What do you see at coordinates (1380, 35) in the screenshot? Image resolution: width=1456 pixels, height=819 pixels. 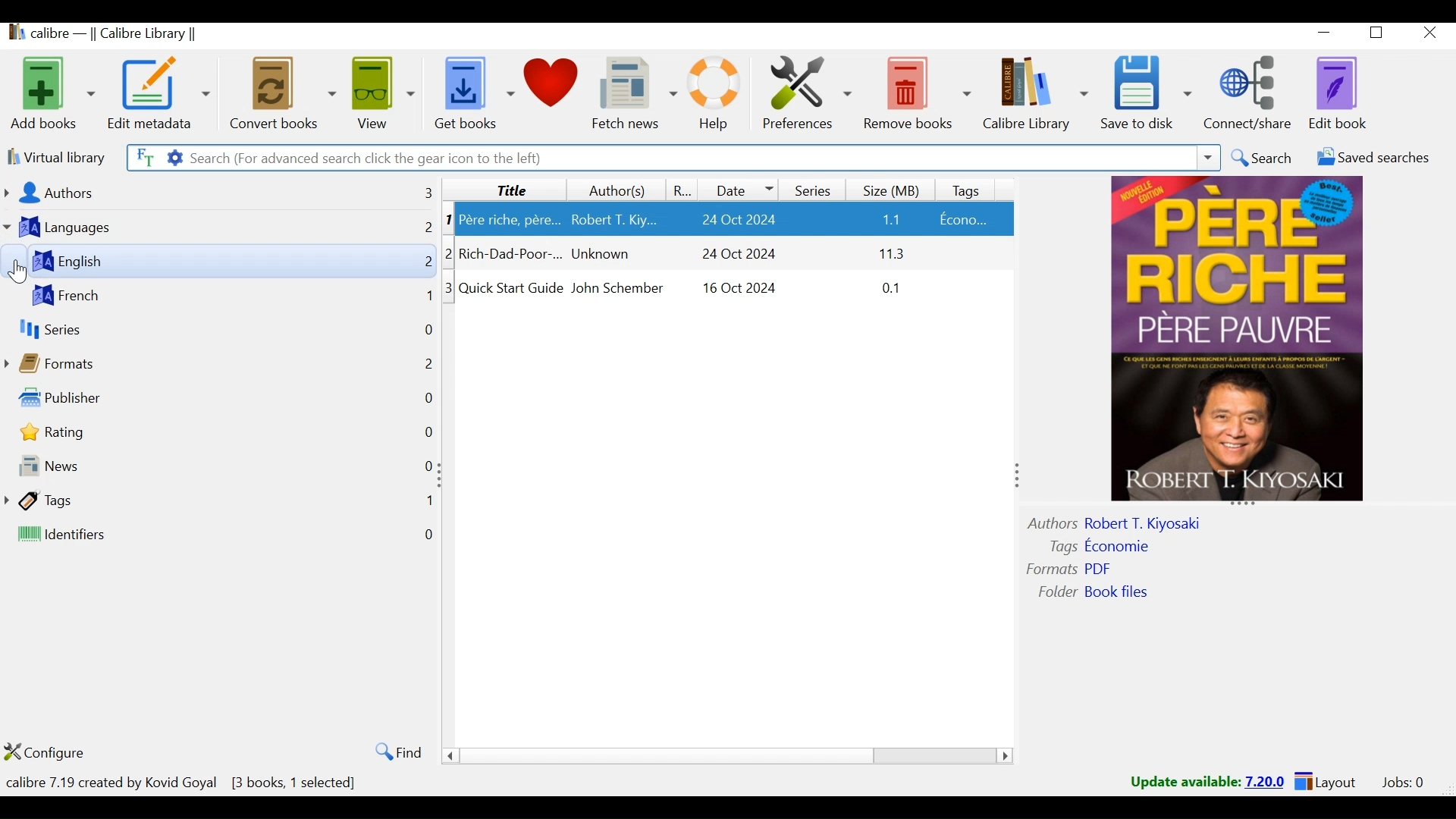 I see `Restore` at bounding box center [1380, 35].